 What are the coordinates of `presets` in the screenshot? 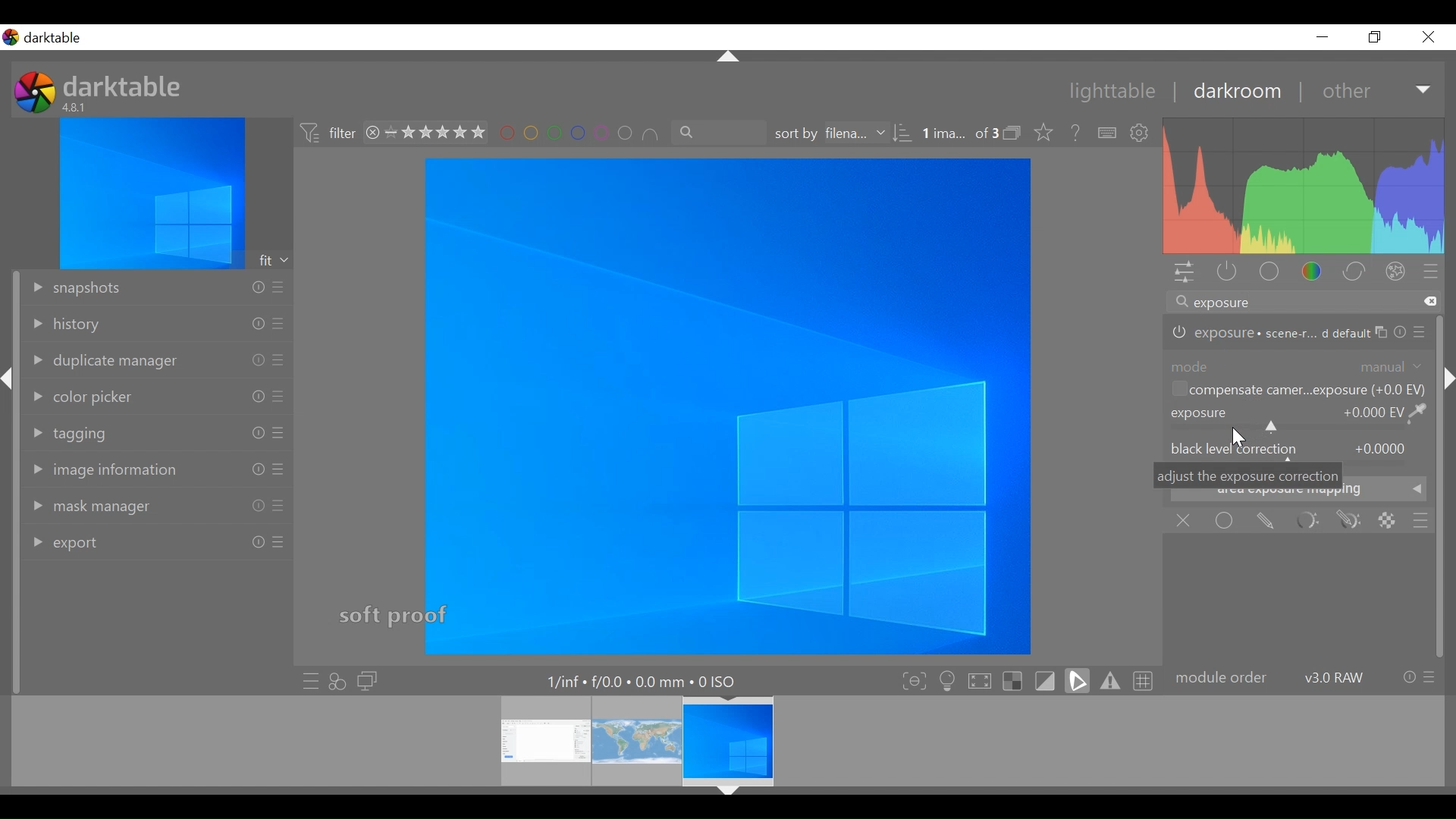 It's located at (278, 507).